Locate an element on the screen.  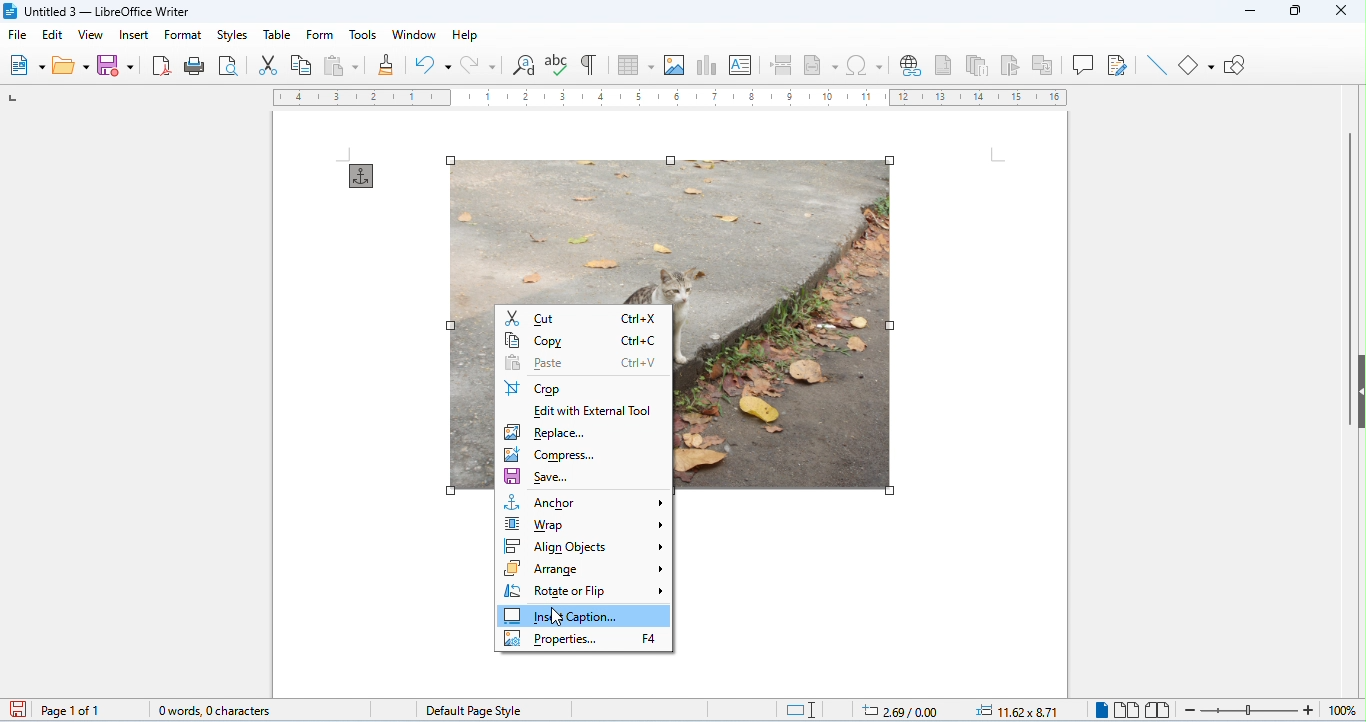
line is located at coordinates (1155, 65).